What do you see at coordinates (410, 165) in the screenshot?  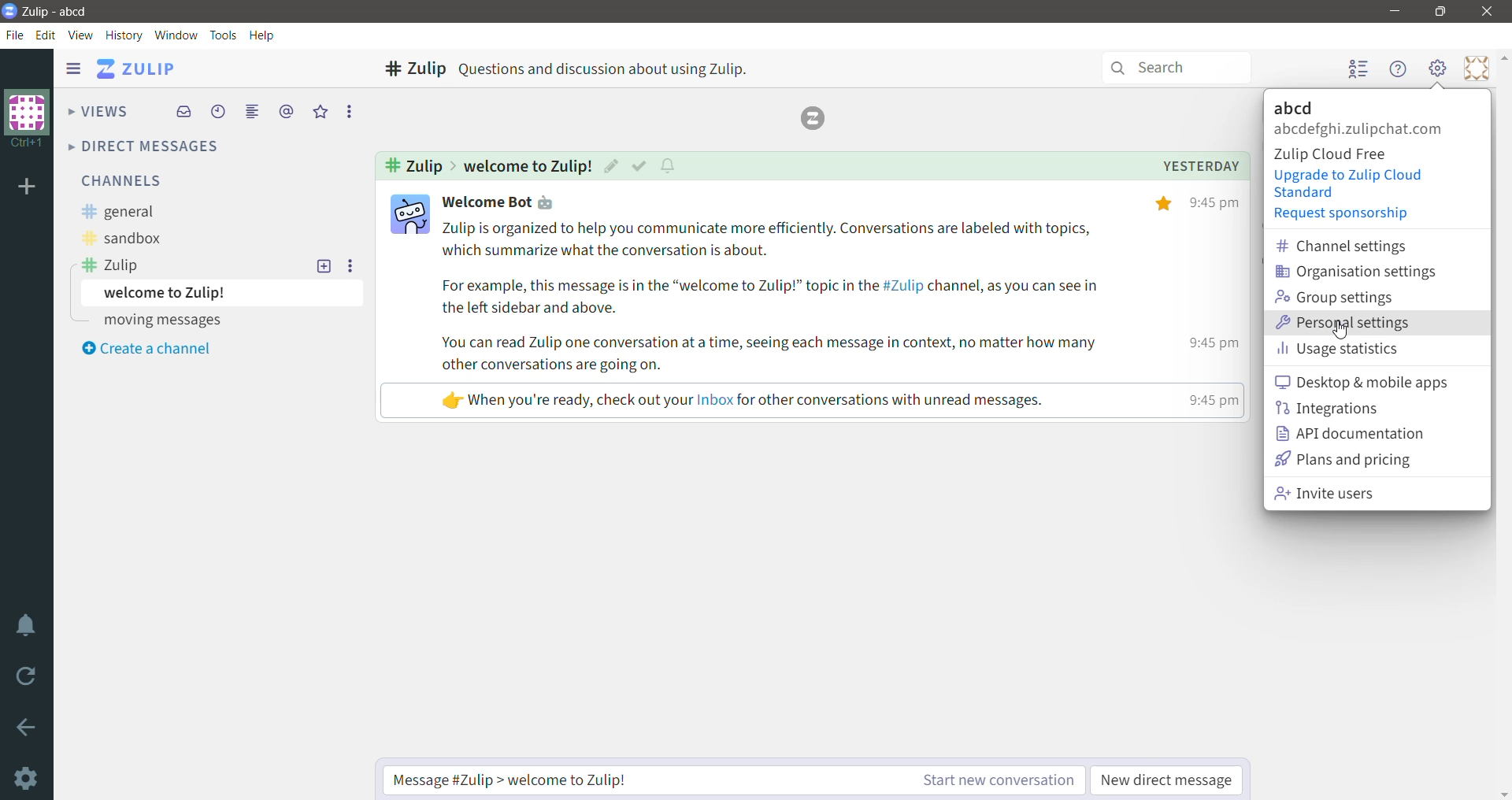 I see `Selected Channel` at bounding box center [410, 165].